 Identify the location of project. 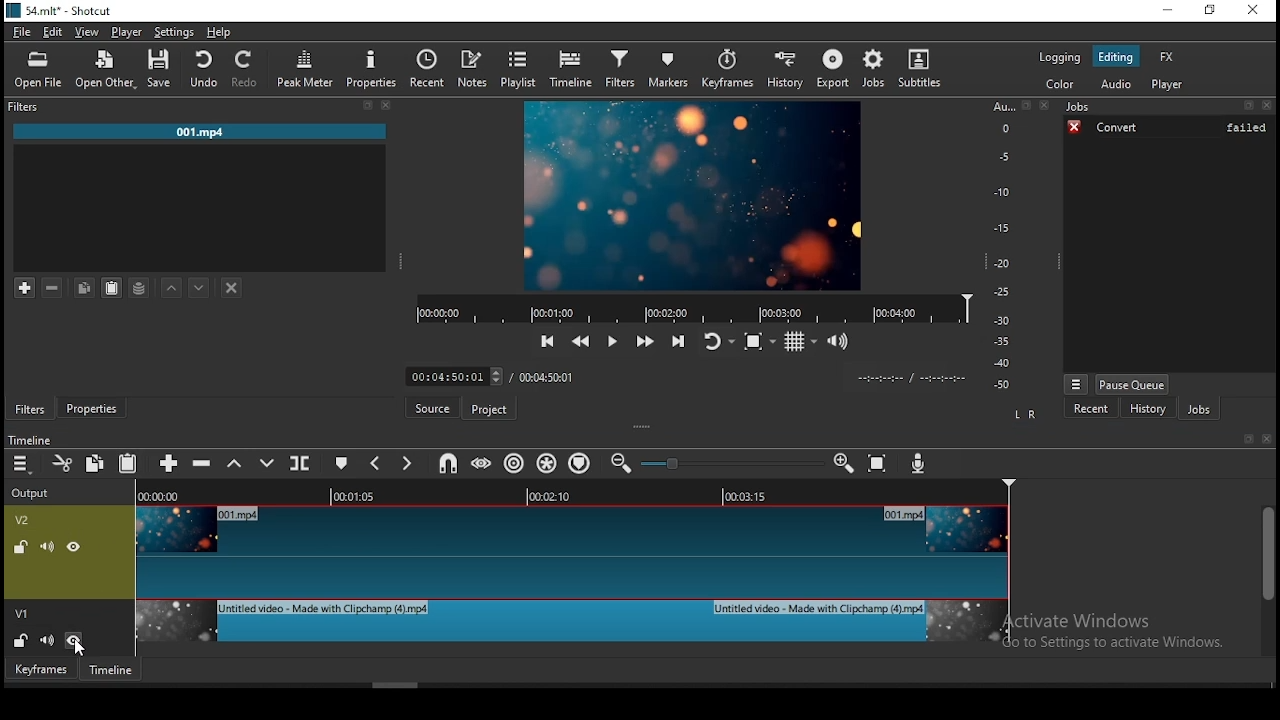
(489, 410).